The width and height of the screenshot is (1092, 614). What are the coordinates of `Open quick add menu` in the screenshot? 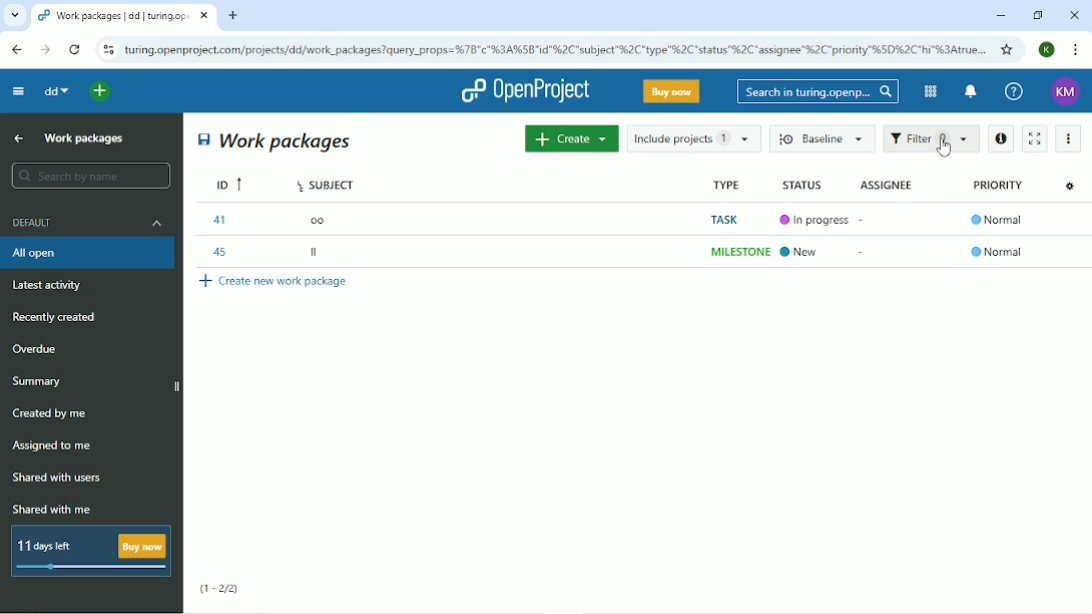 It's located at (101, 91).